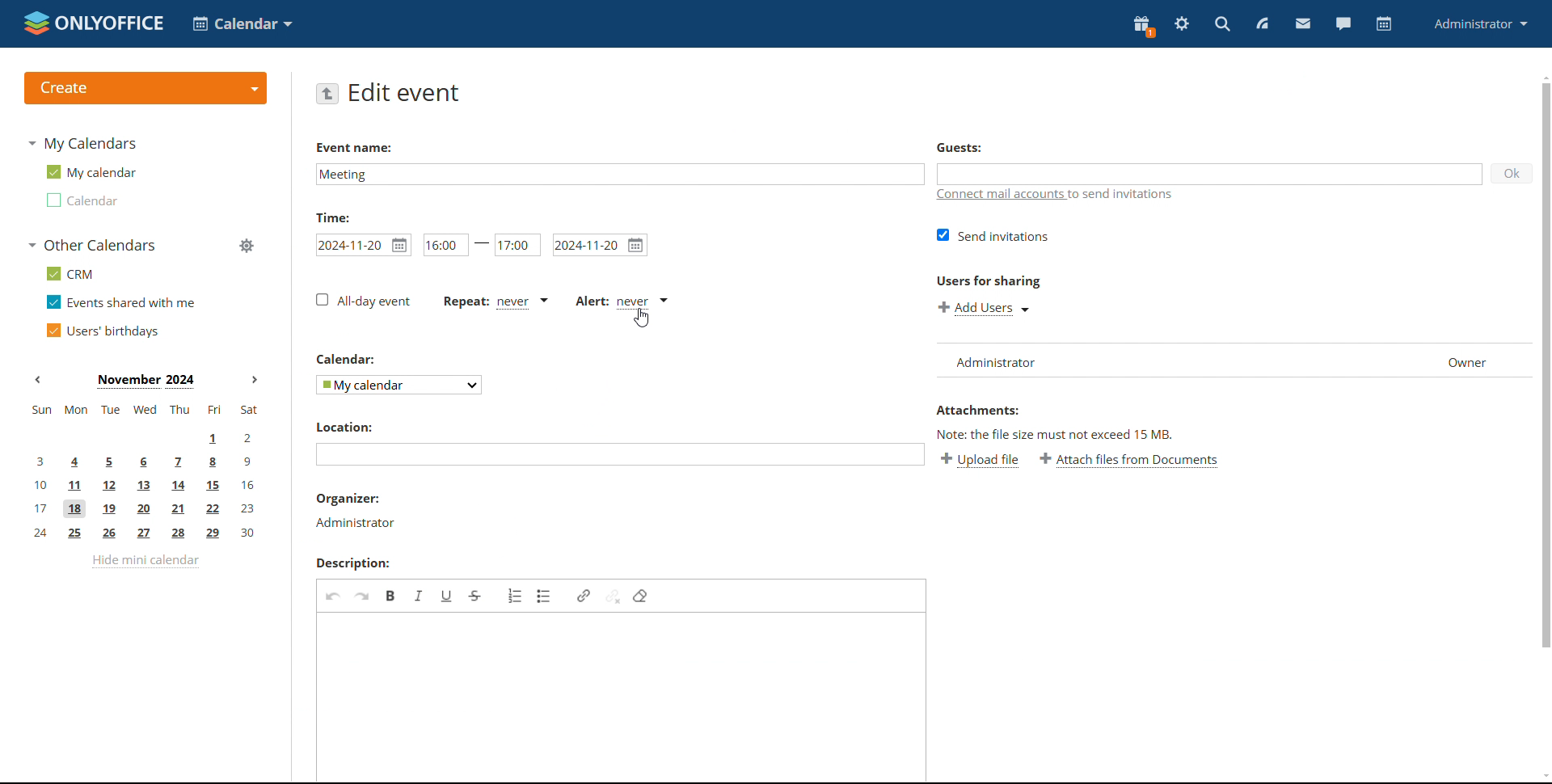 The width and height of the screenshot is (1552, 784). I want to click on crm, so click(67, 273).